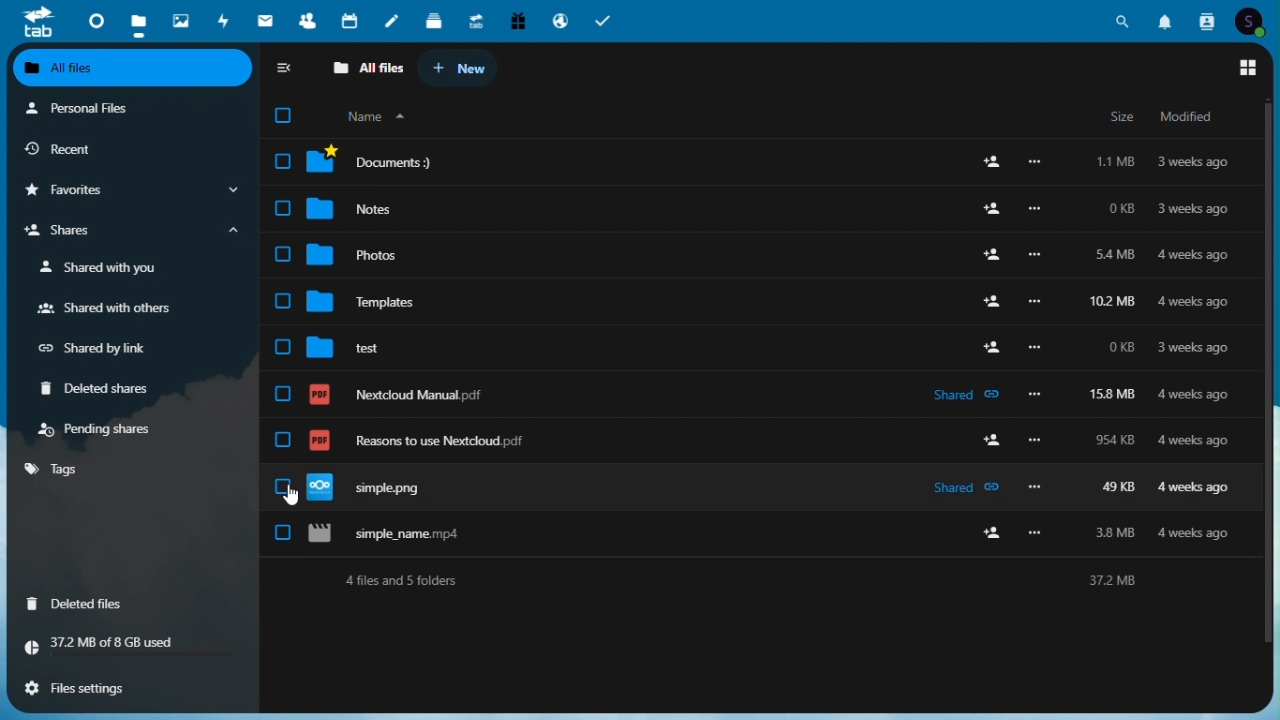 Image resolution: width=1280 pixels, height=720 pixels. Describe the element at coordinates (763, 432) in the screenshot. I see `Reasons to use Nextcloud.pdf 954 KB 4 weeks ago` at that location.